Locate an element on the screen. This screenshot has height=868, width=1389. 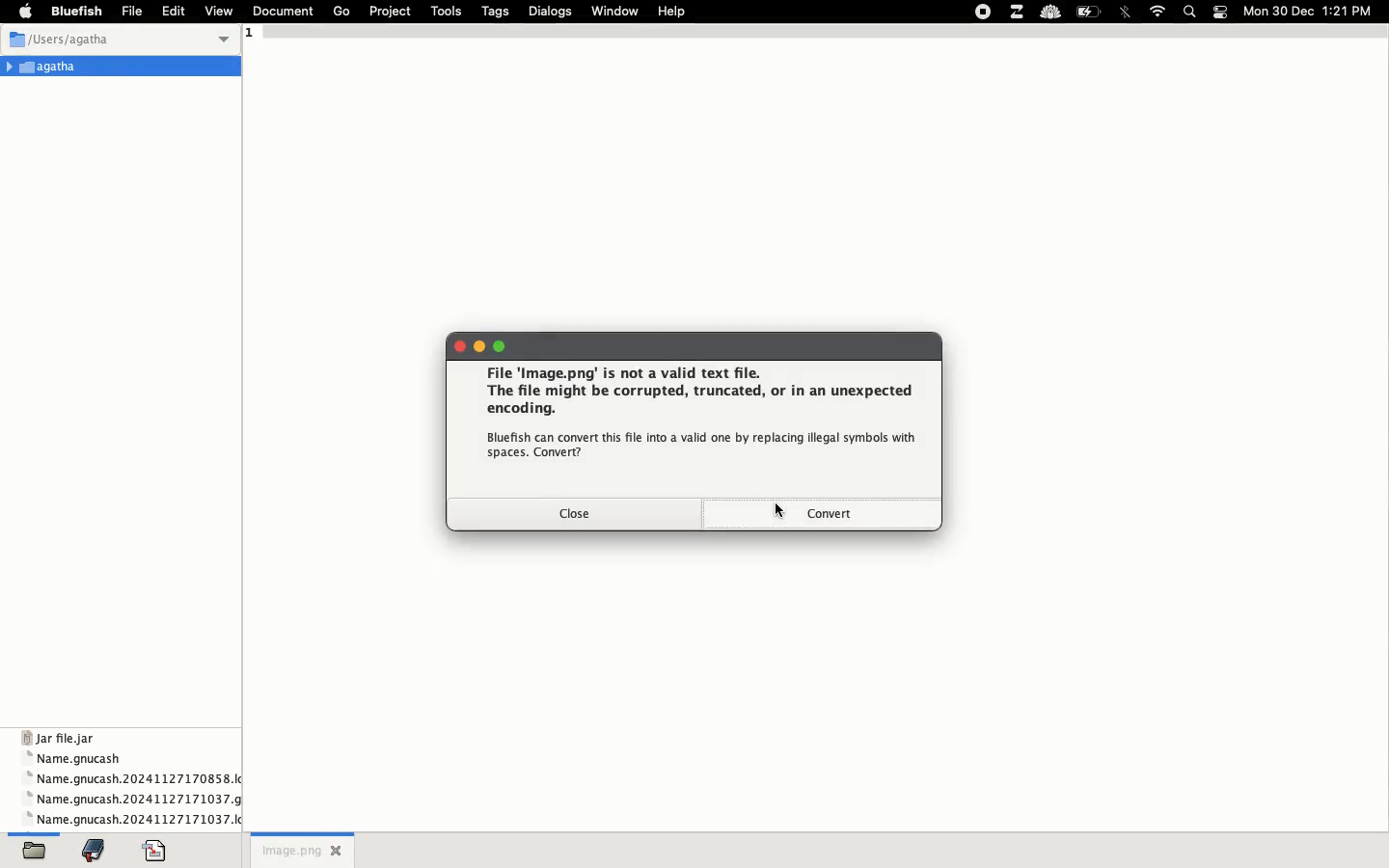
minimize  is located at coordinates (478, 342).